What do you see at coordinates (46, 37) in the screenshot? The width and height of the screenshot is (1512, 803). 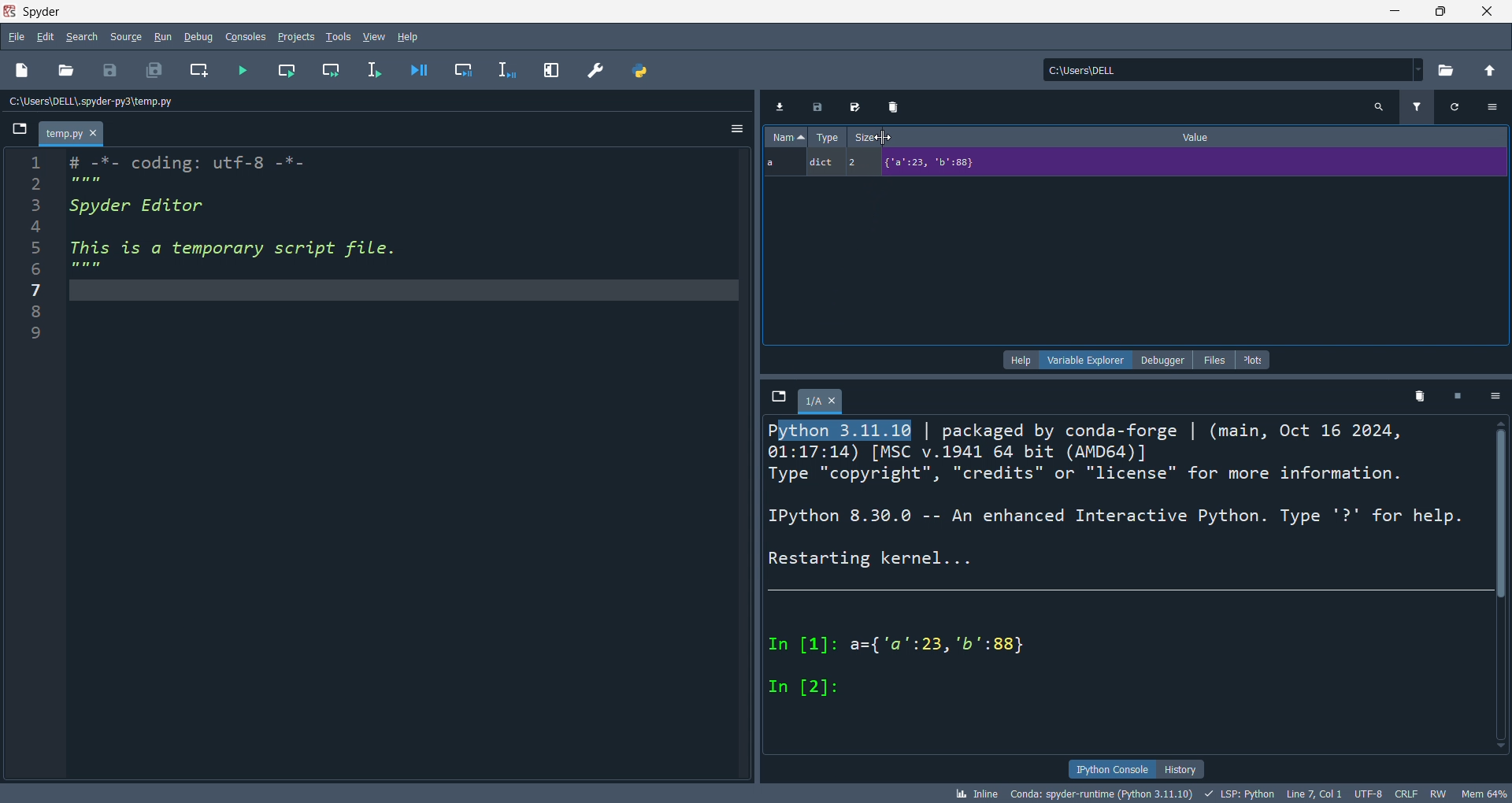 I see `edti` at bounding box center [46, 37].